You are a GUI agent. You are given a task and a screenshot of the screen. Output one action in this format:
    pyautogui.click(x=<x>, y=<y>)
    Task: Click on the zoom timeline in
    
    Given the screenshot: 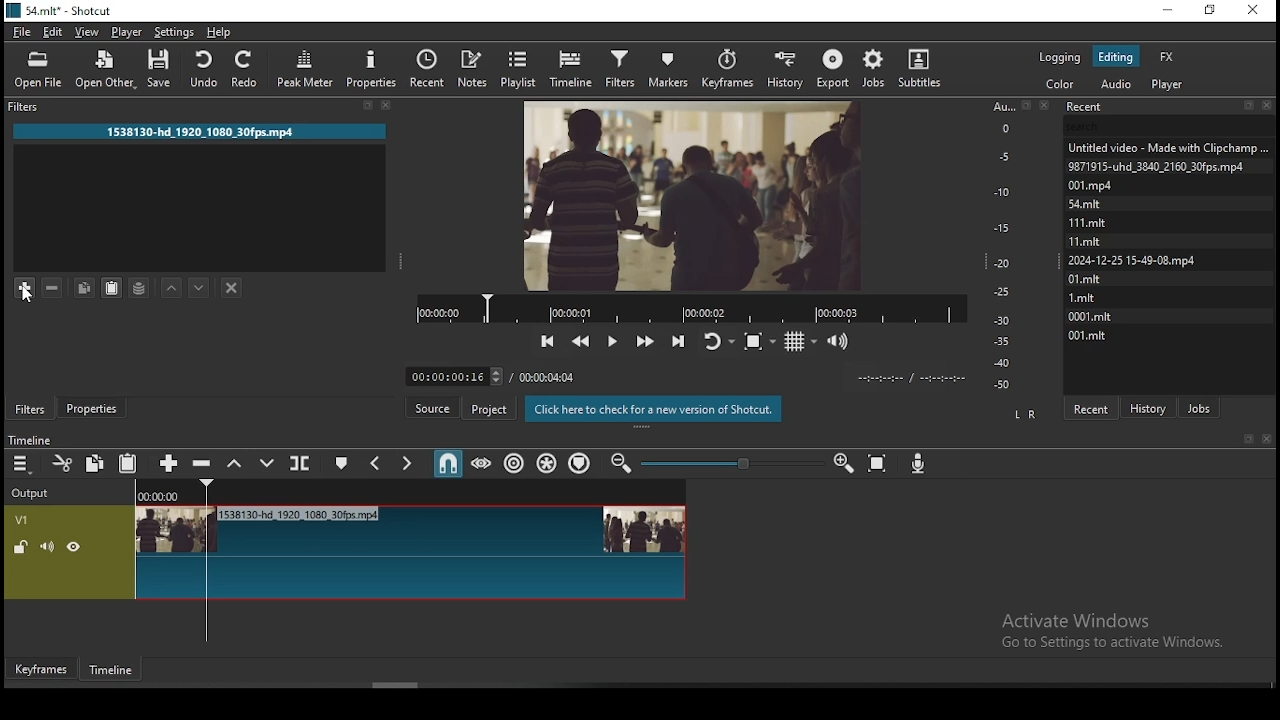 What is the action you would take?
    pyautogui.click(x=622, y=462)
    